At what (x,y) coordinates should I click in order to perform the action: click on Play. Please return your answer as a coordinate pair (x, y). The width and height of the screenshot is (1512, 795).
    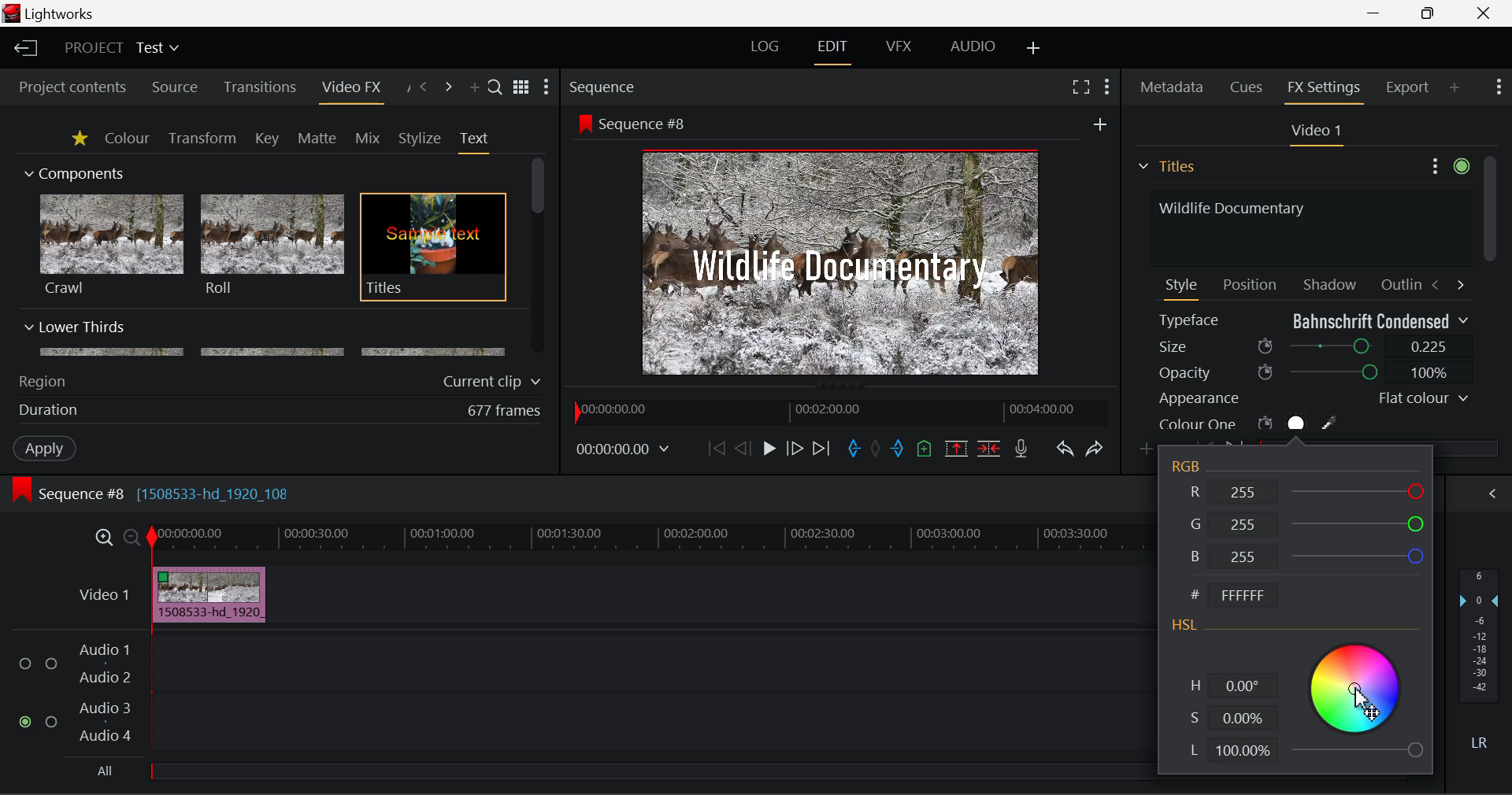
    Looking at the image, I should click on (769, 448).